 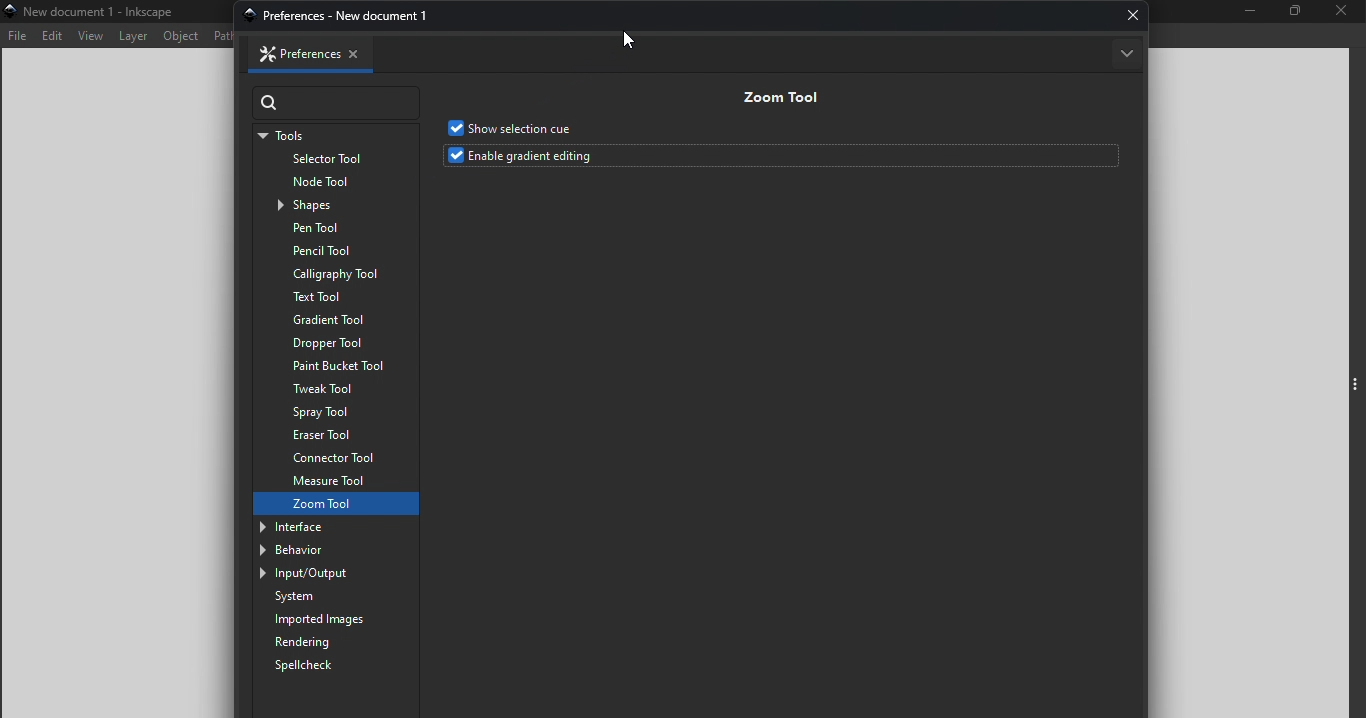 I want to click on Search bar, so click(x=336, y=100).